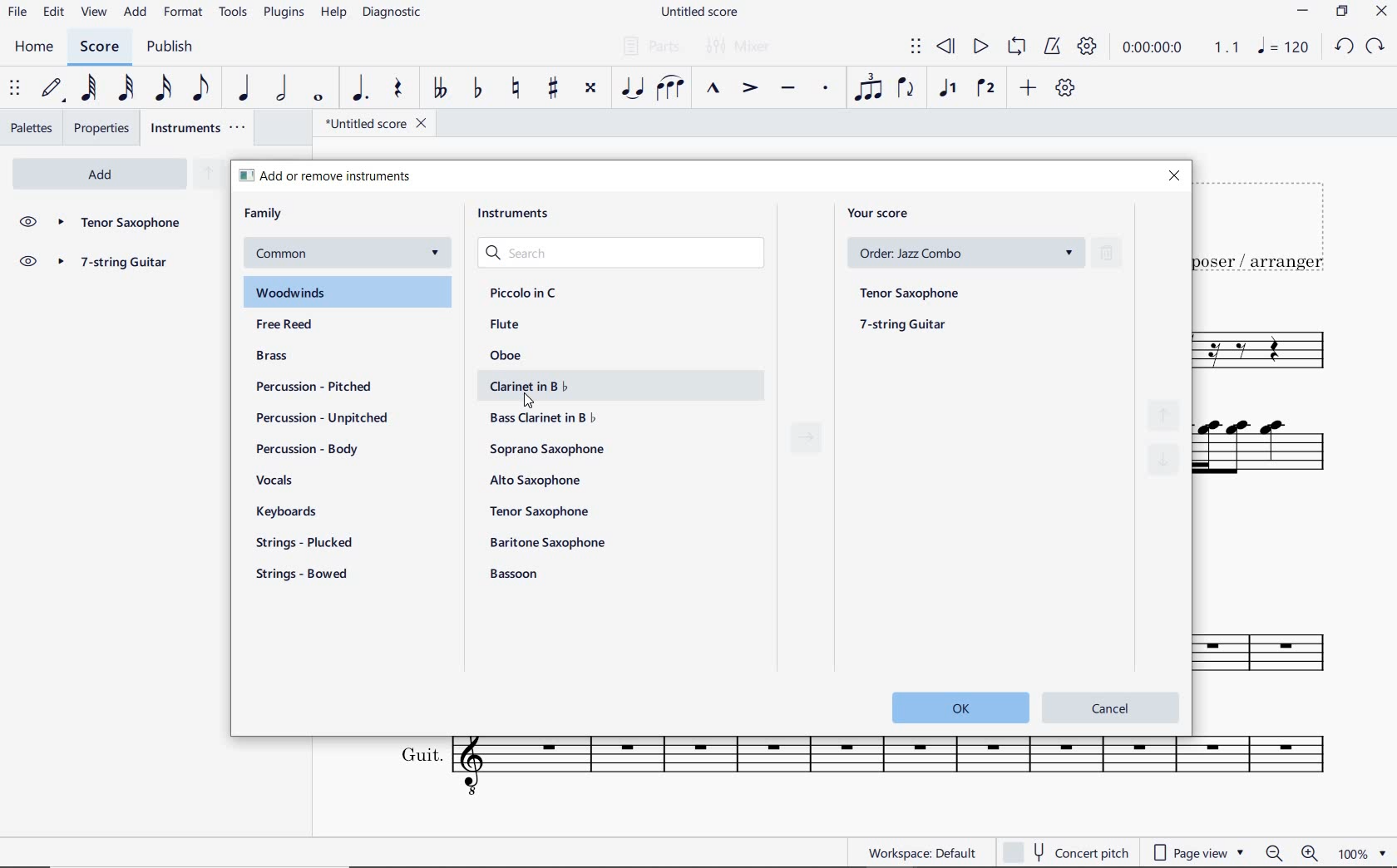 The height and width of the screenshot is (868, 1397). I want to click on PLAY, so click(978, 47).